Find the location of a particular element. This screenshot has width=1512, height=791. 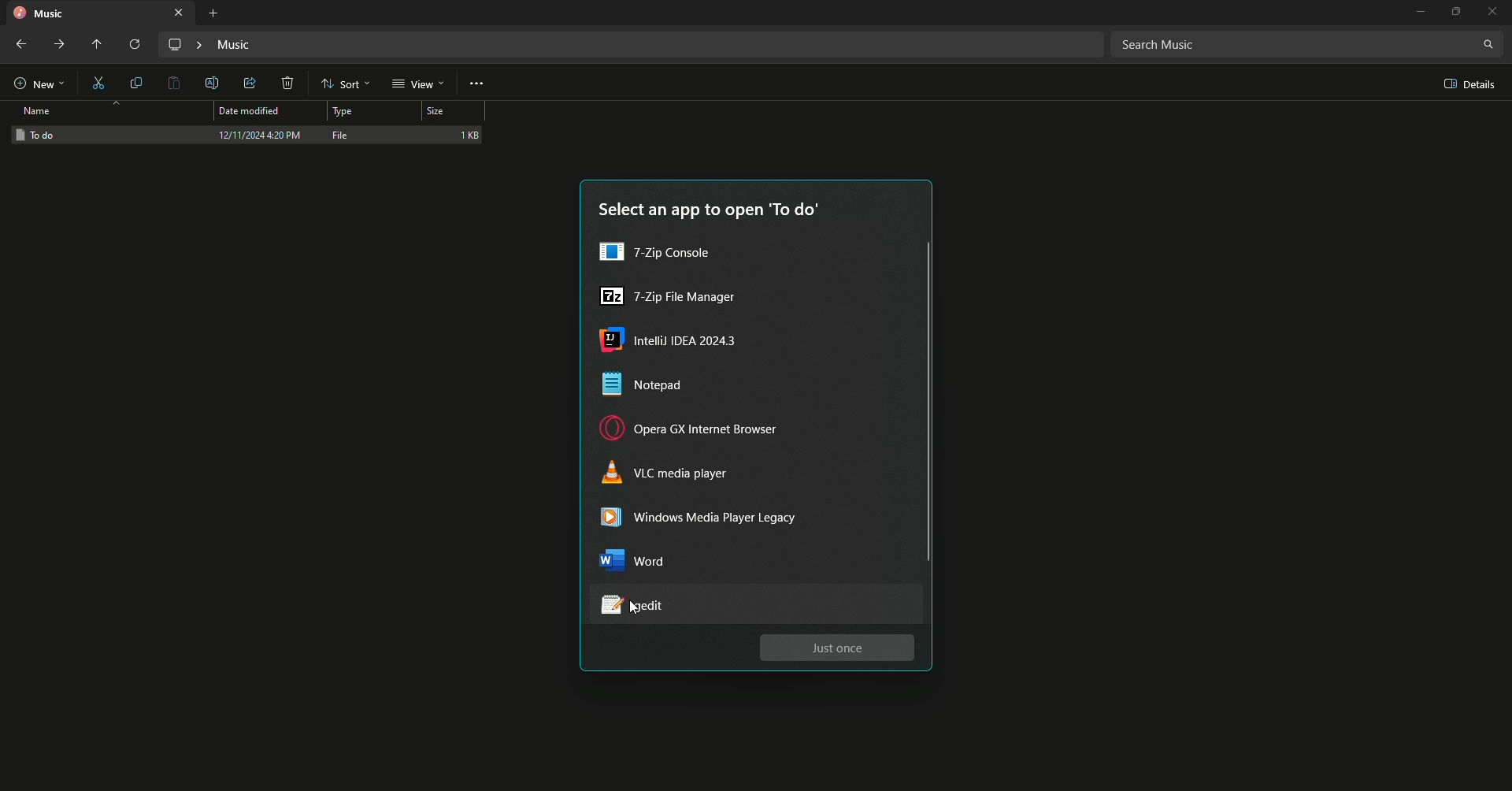

Date and time is located at coordinates (258, 137).